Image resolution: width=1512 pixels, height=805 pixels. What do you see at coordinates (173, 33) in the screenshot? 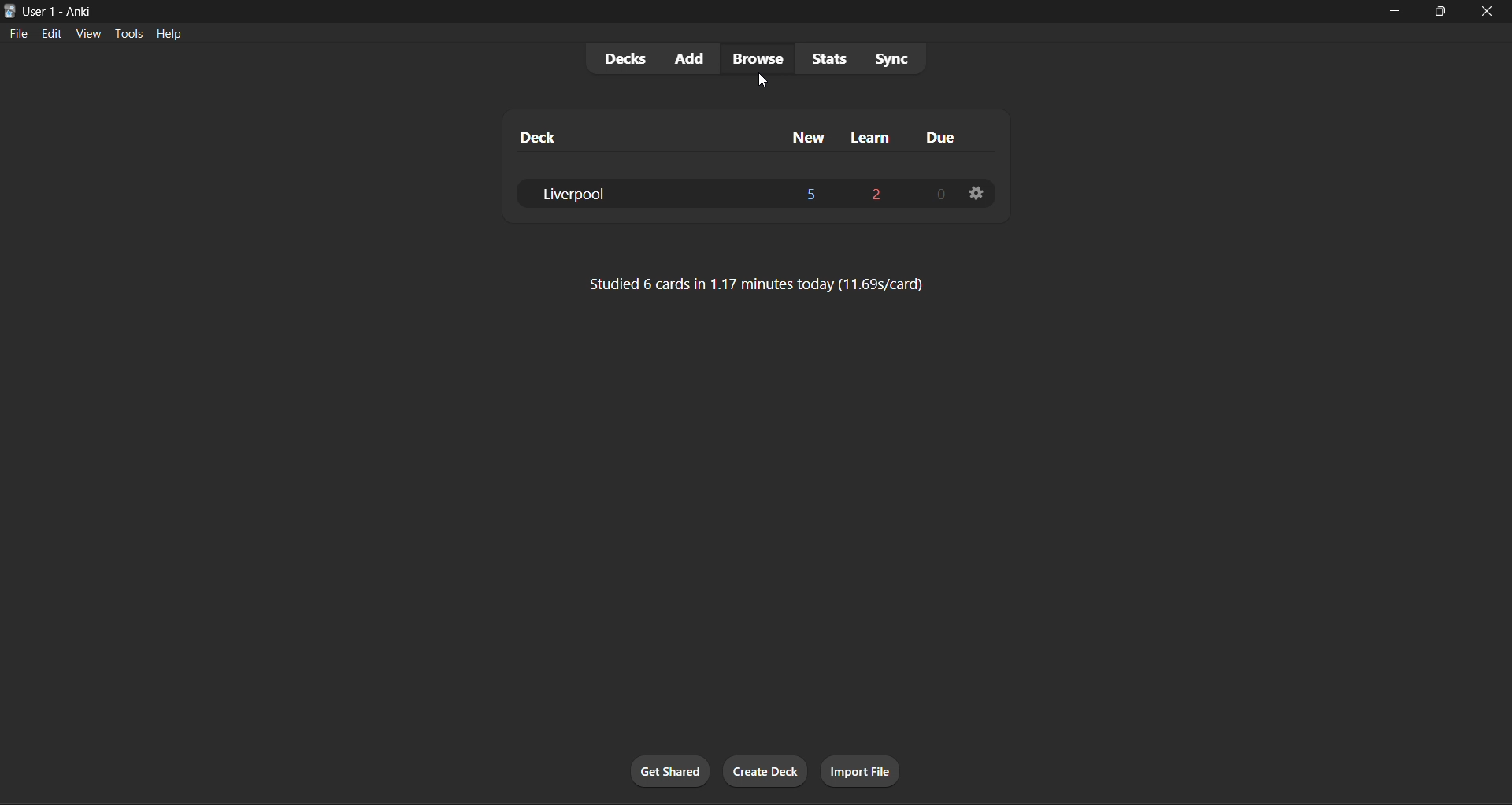
I see `help` at bounding box center [173, 33].